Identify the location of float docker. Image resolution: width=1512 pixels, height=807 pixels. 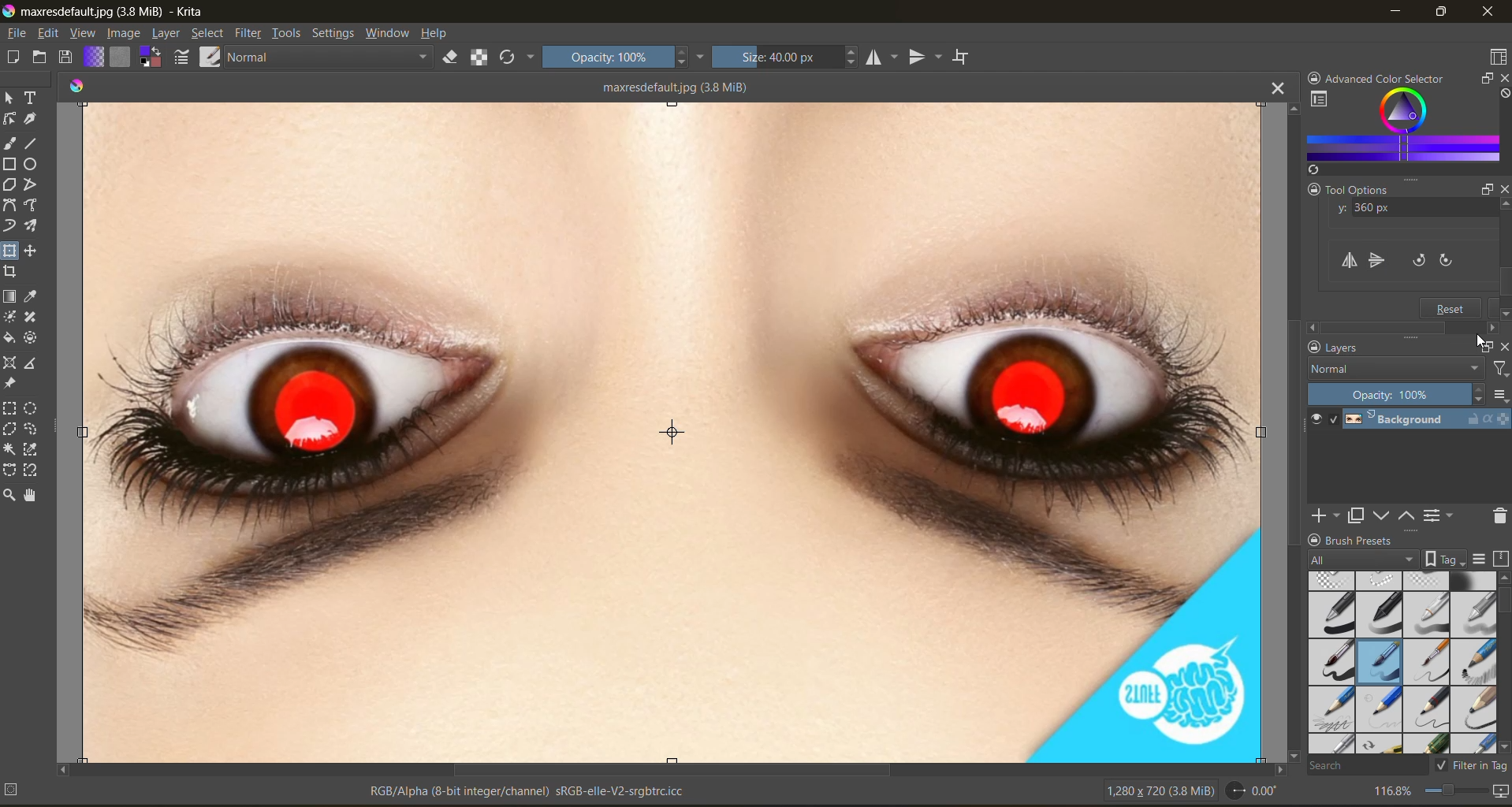
(1484, 192).